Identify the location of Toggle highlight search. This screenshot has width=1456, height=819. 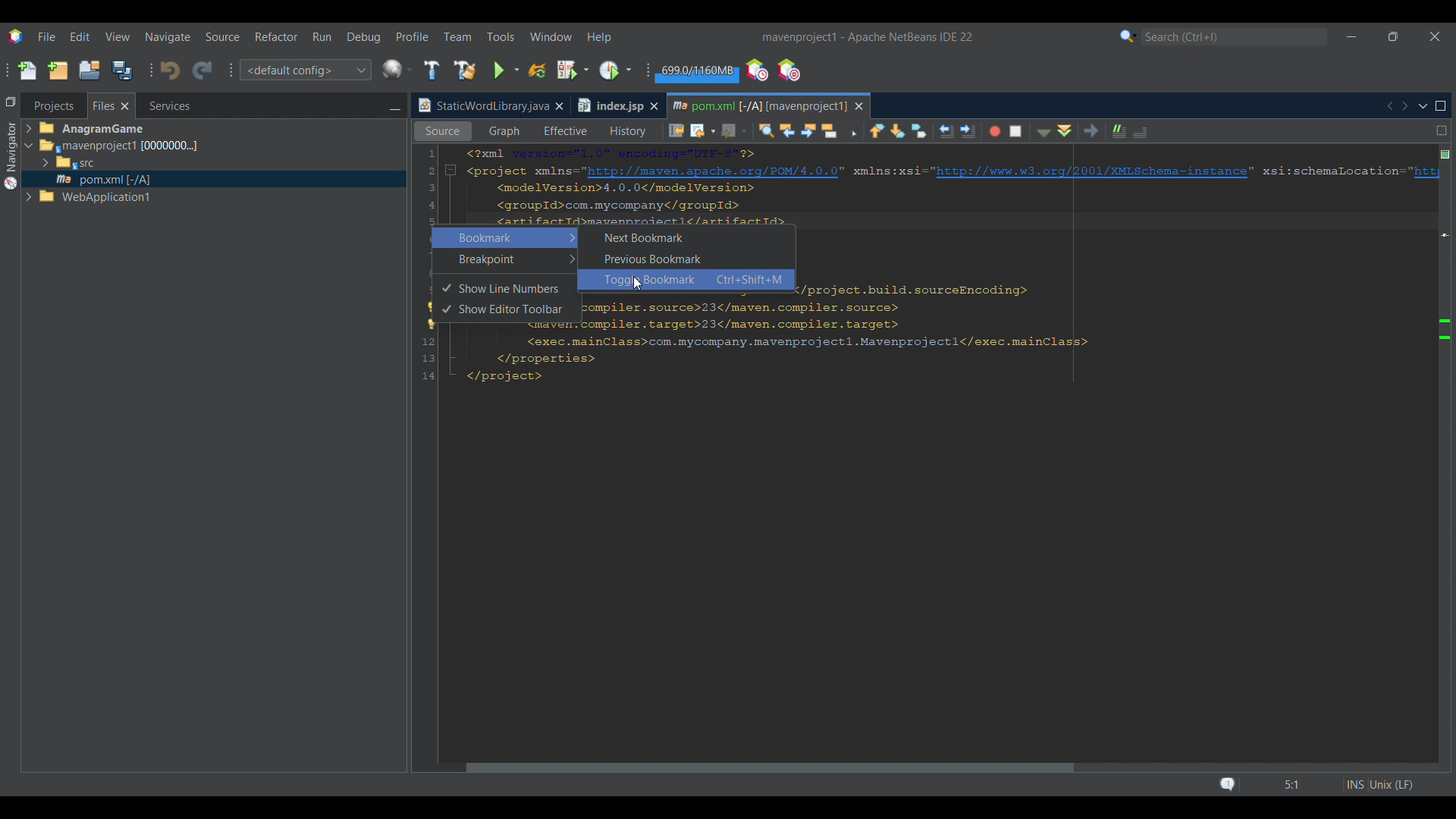
(831, 130).